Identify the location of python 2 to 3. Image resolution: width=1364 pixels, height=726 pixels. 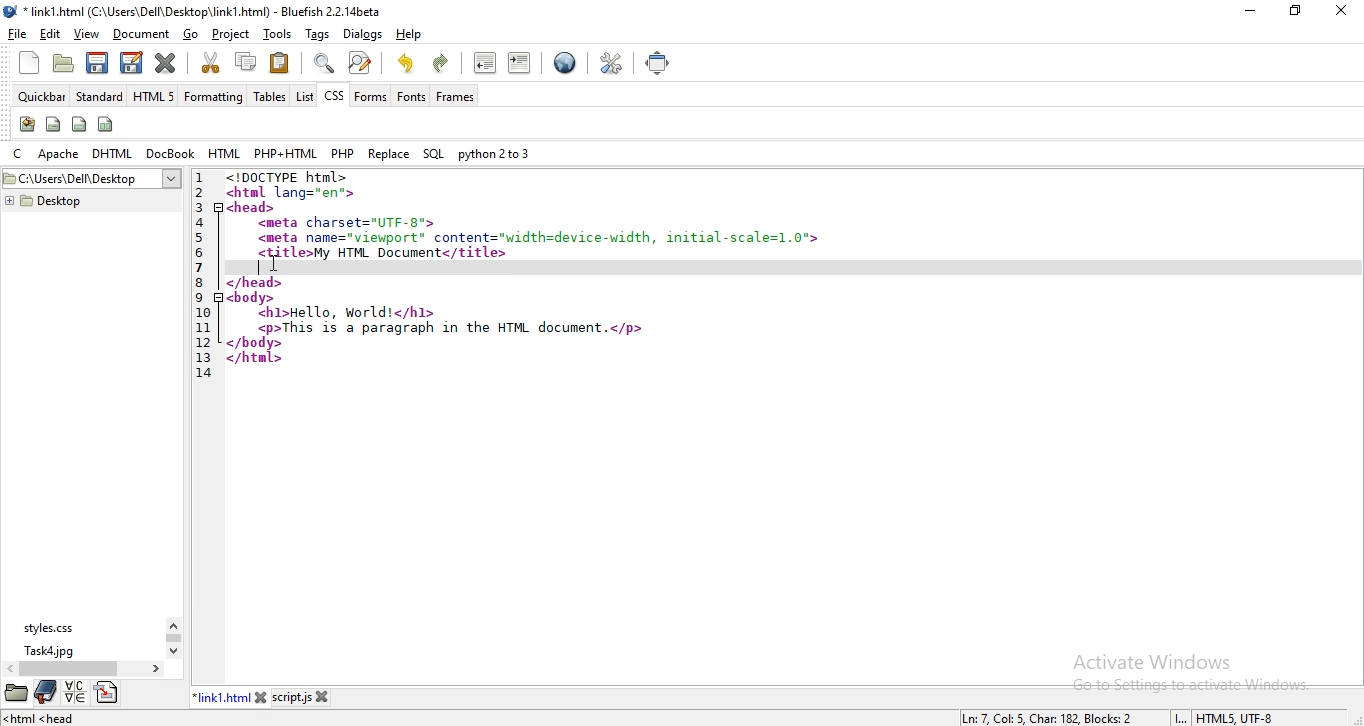
(495, 153).